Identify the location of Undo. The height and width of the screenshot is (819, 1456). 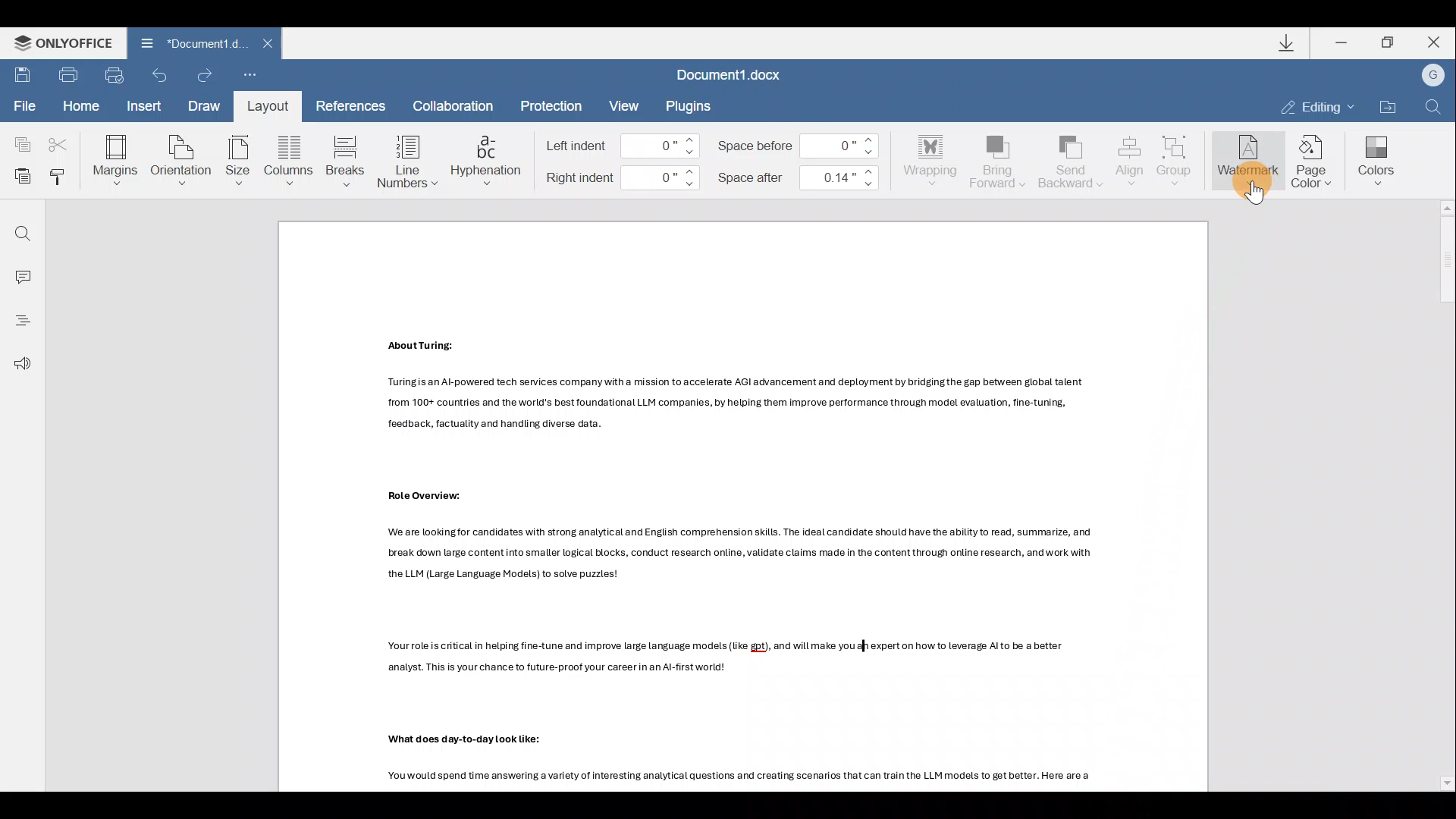
(162, 75).